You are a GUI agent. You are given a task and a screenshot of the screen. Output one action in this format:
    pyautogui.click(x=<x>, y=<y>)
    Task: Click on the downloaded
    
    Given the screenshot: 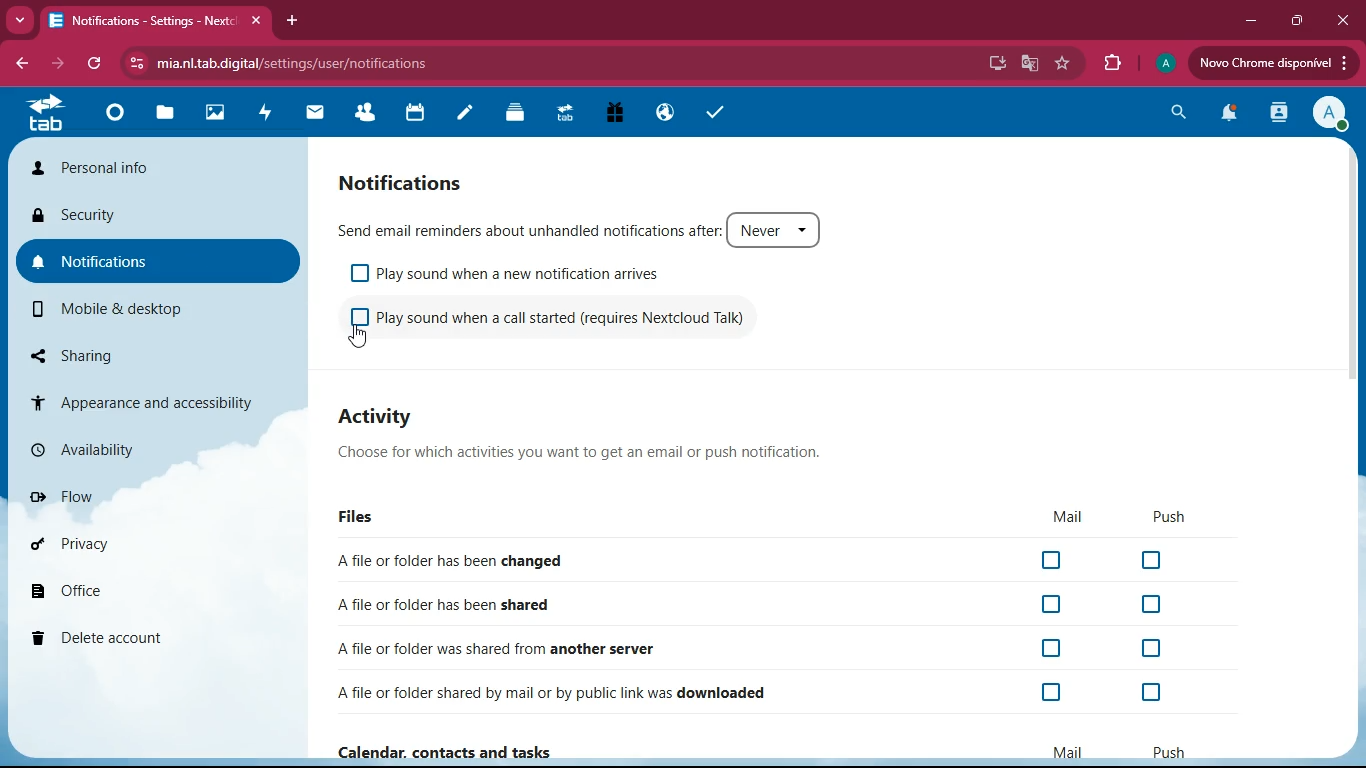 What is the action you would take?
    pyautogui.click(x=562, y=690)
    